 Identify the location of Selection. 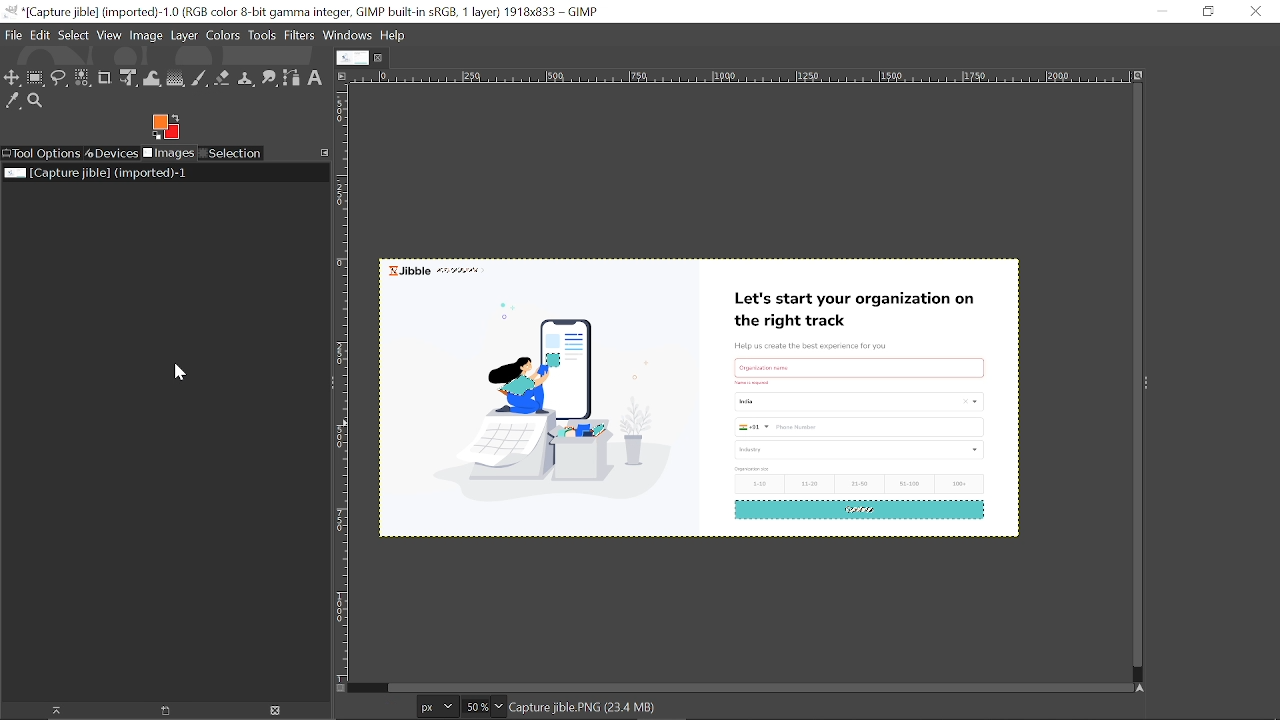
(232, 153).